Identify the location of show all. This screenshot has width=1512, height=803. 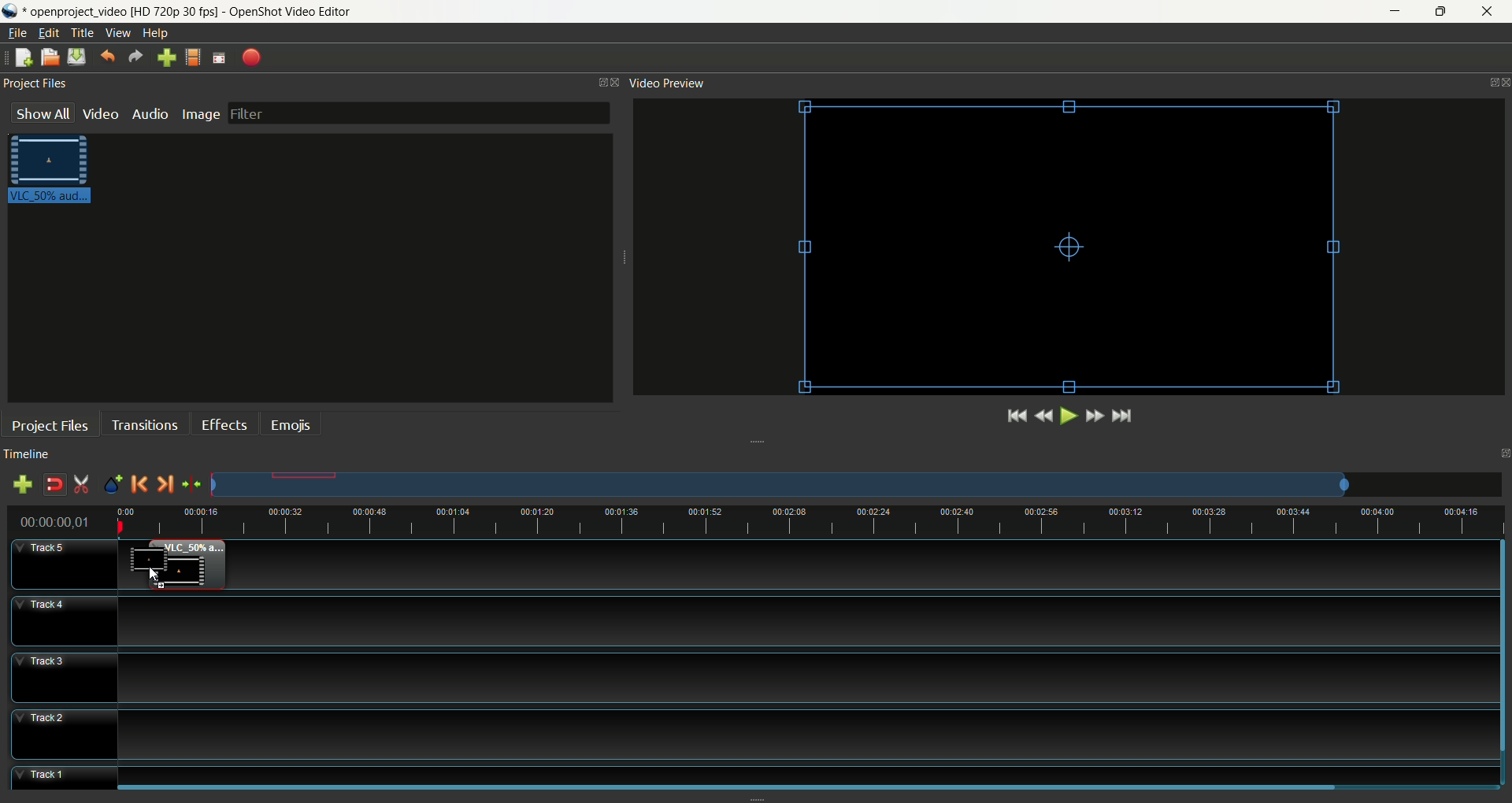
(40, 113).